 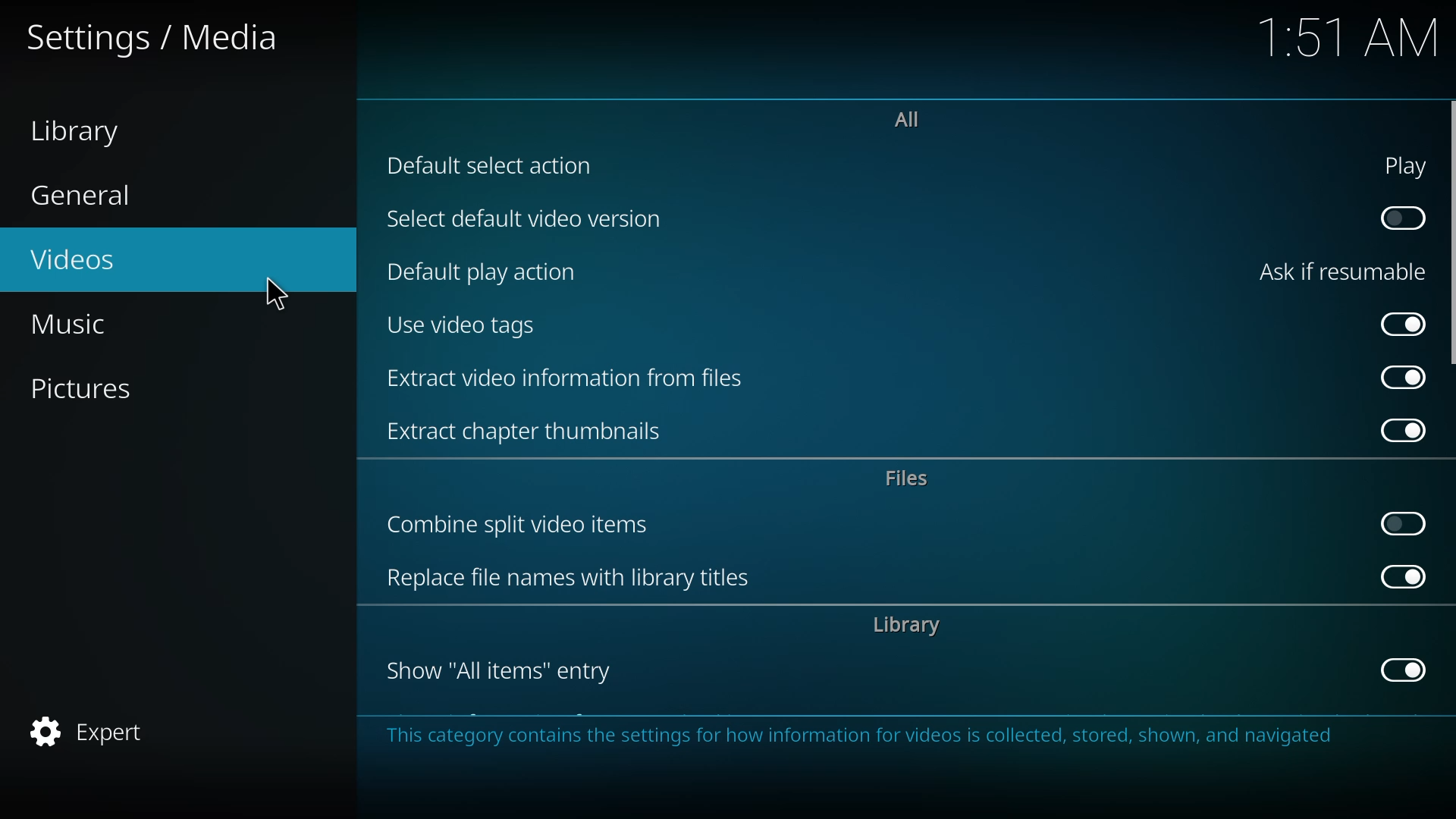 I want to click on all, so click(x=905, y=118).